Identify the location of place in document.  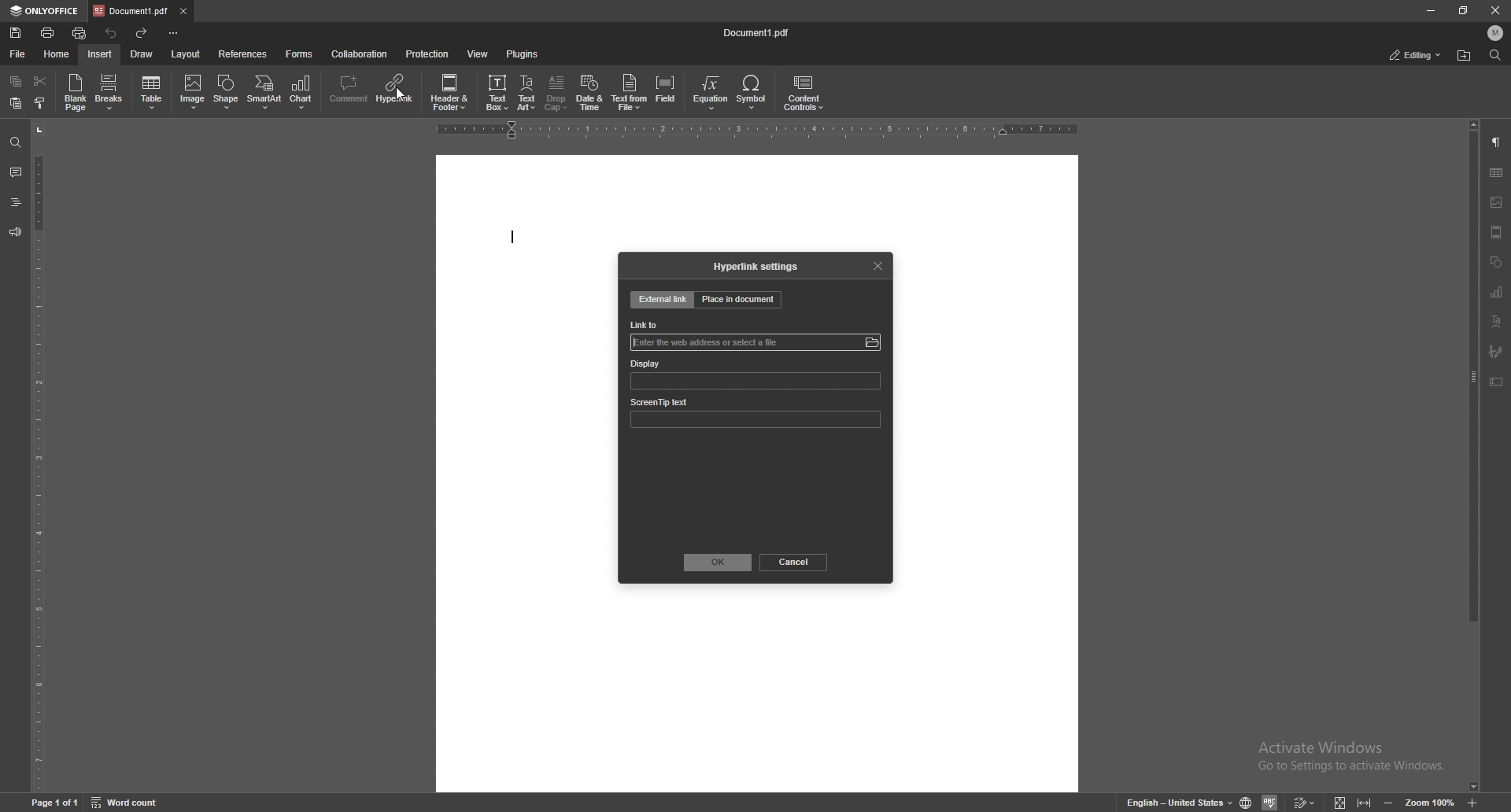
(738, 299).